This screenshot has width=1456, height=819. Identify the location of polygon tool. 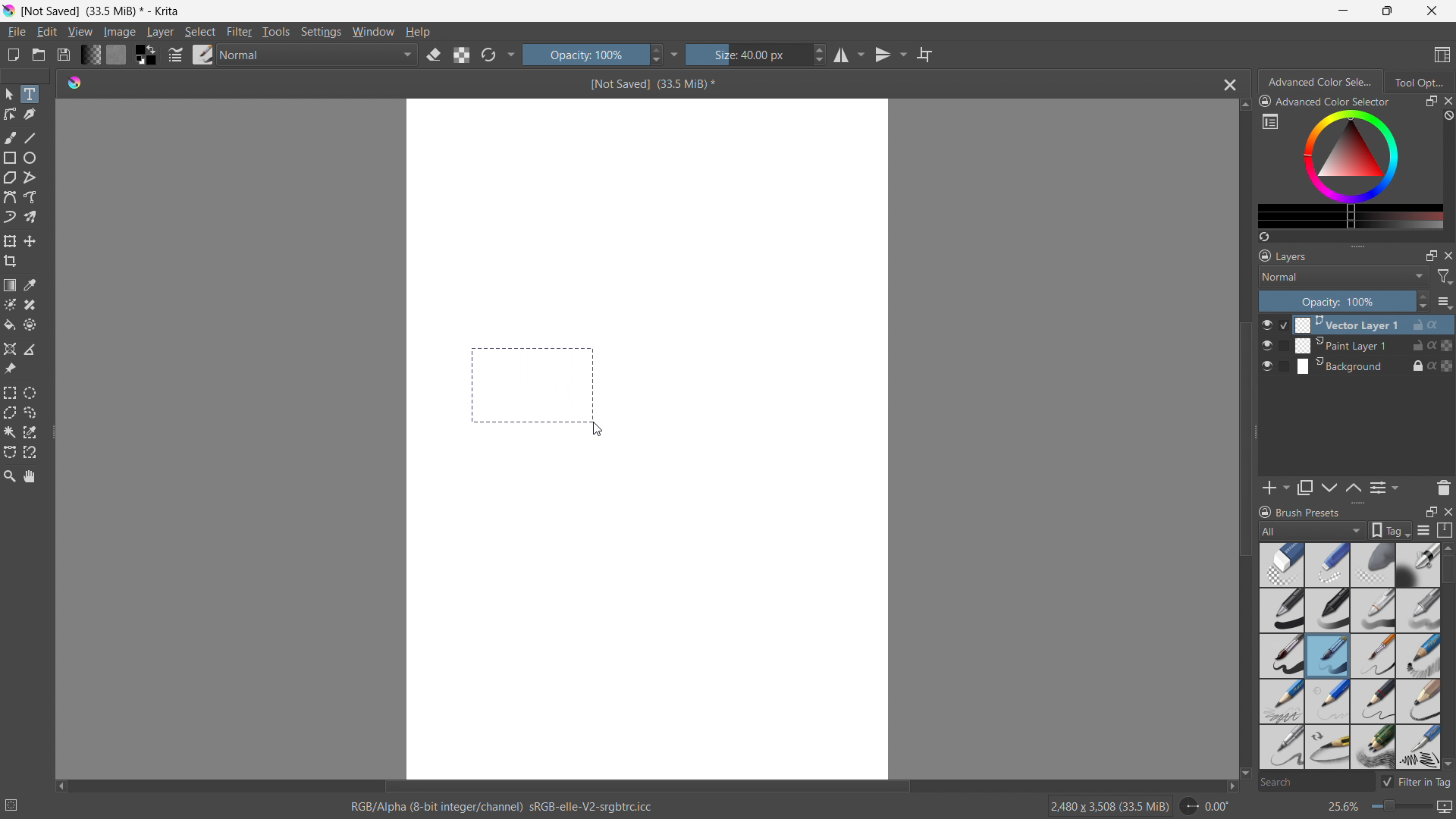
(10, 178).